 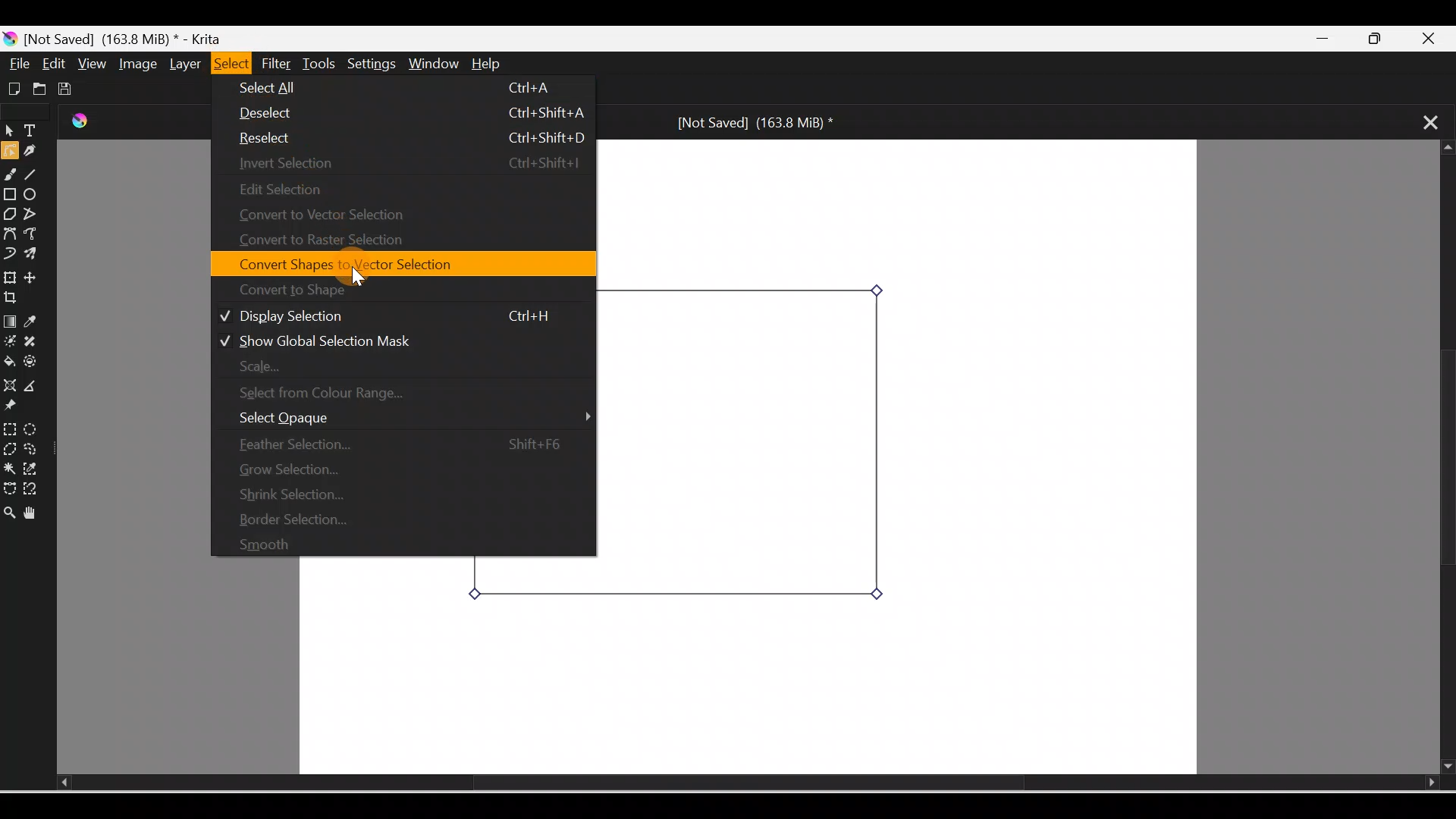 I want to click on Colorize mask tool, so click(x=10, y=342).